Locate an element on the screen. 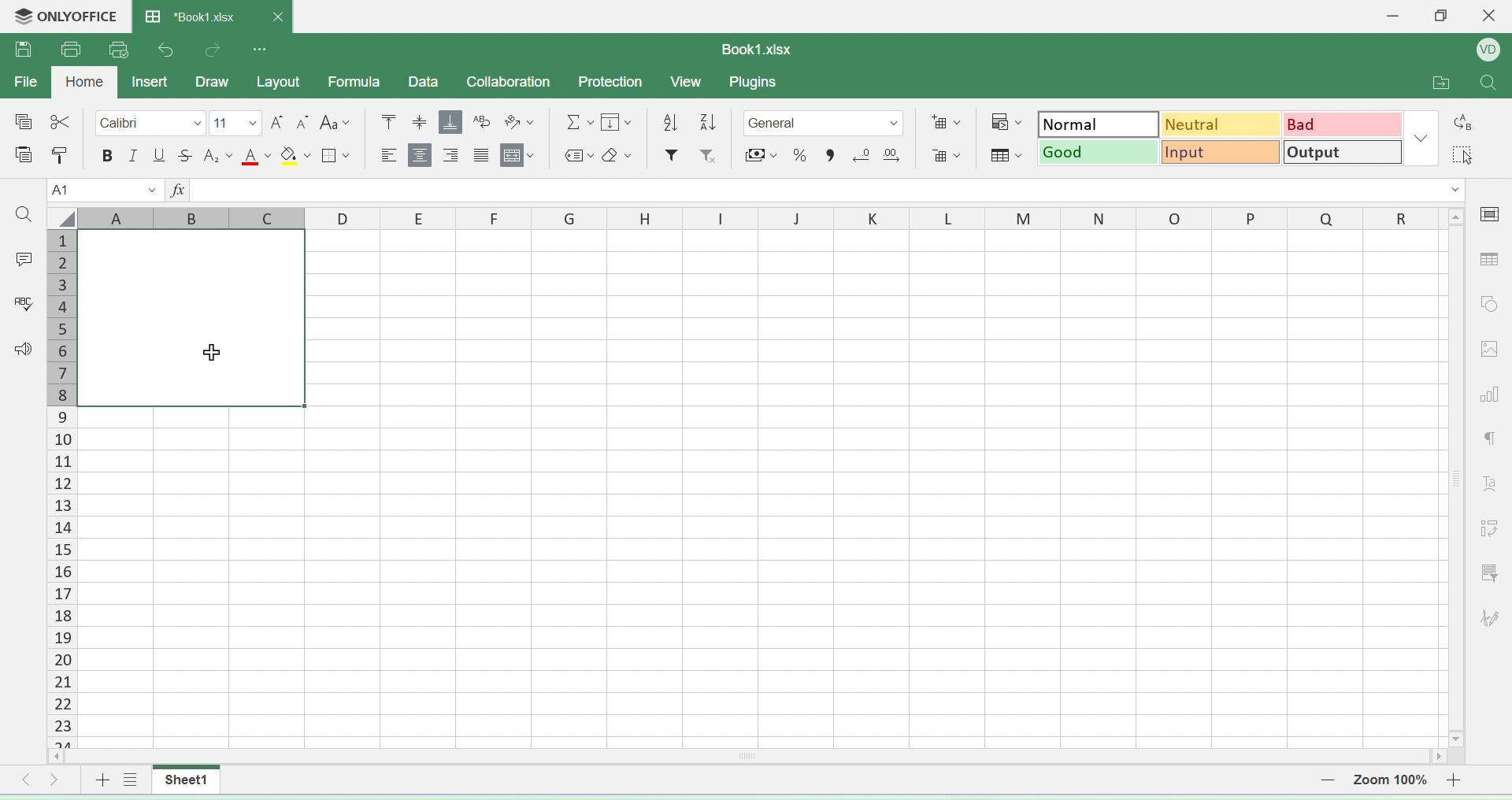 The image size is (1512, 800). add decimal point is located at coordinates (889, 154).